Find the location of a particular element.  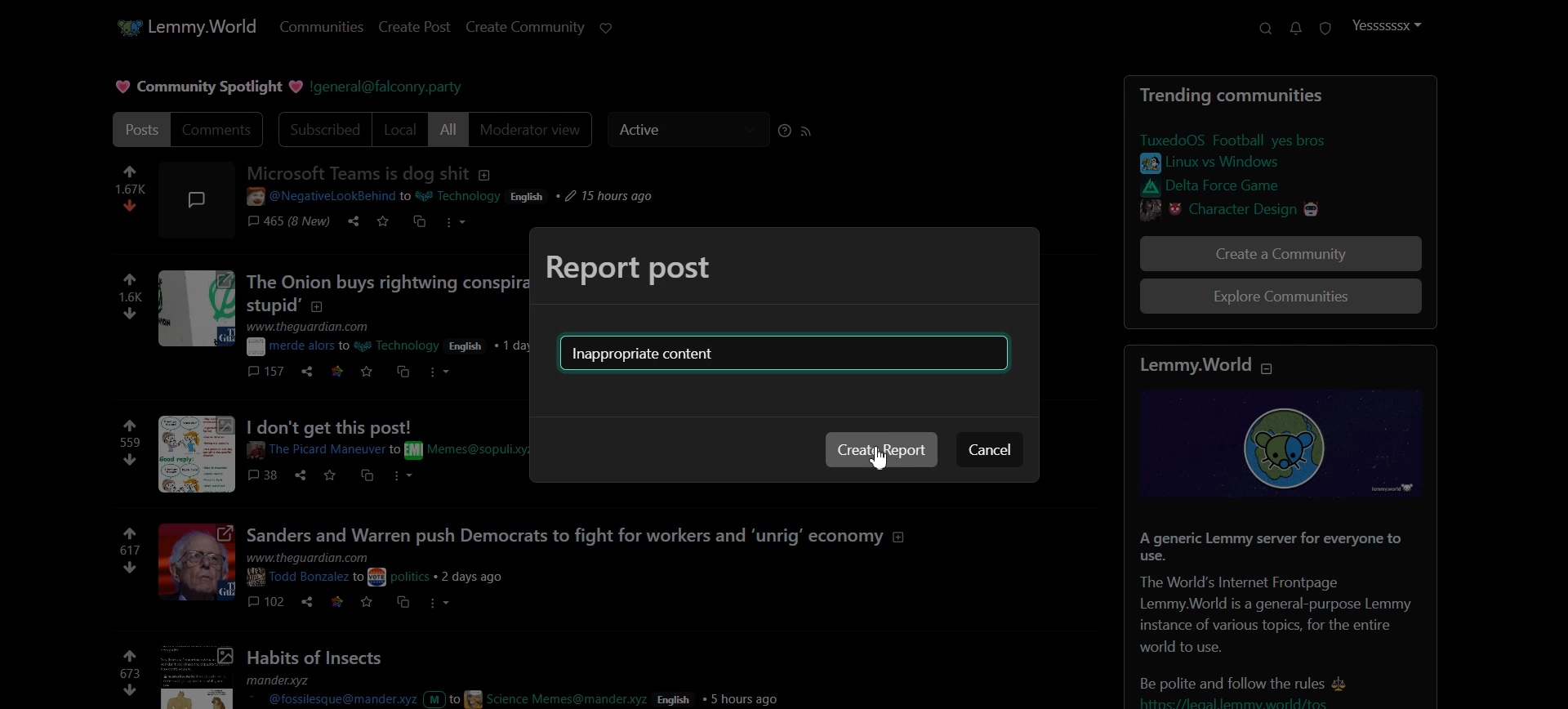

Communities is located at coordinates (322, 26).